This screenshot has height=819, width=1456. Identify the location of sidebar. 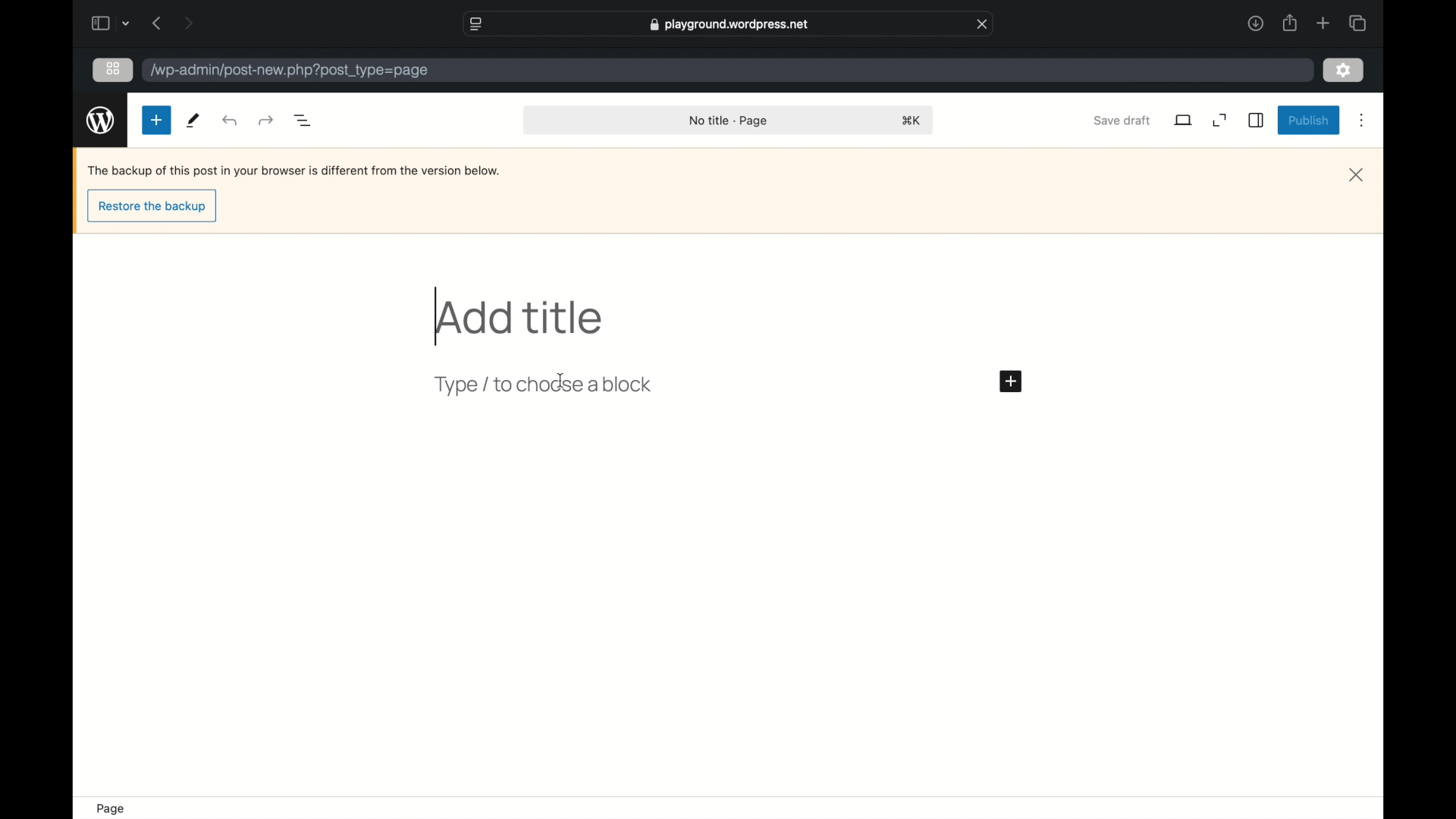
(99, 23).